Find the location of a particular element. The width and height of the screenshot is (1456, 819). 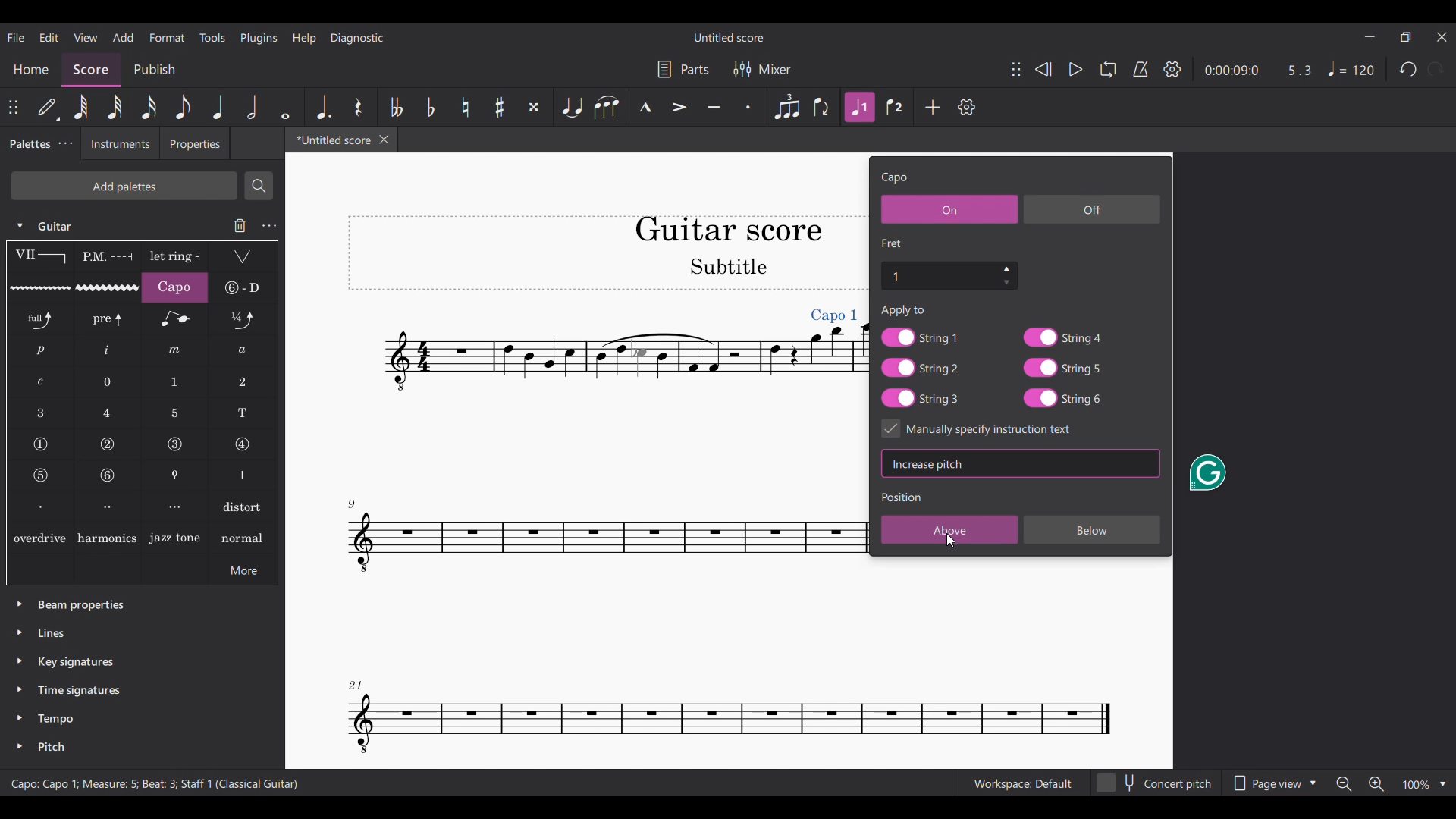

Pre-bend is located at coordinates (108, 319).